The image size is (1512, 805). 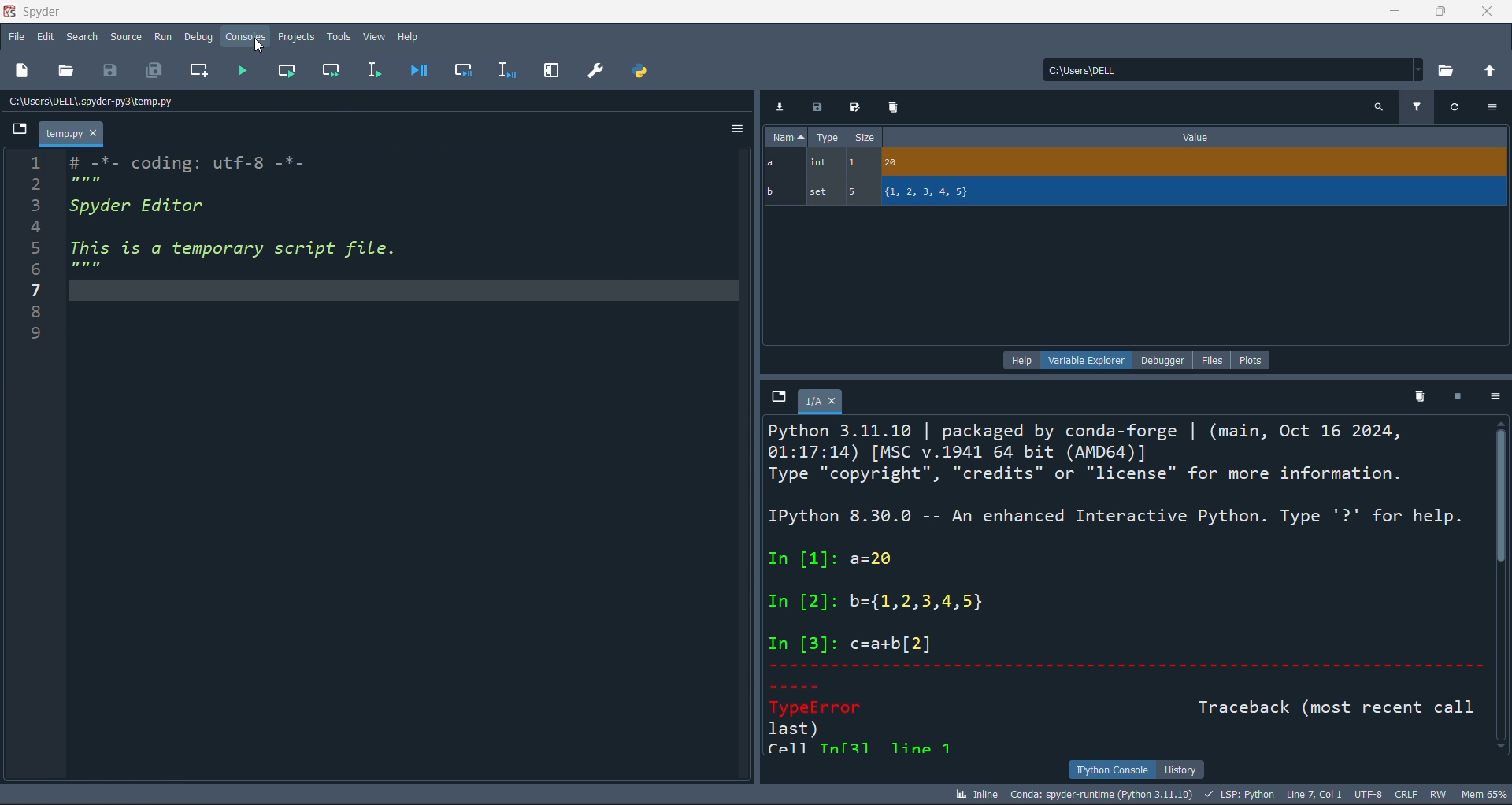 I want to click on expand pane, so click(x=551, y=69).